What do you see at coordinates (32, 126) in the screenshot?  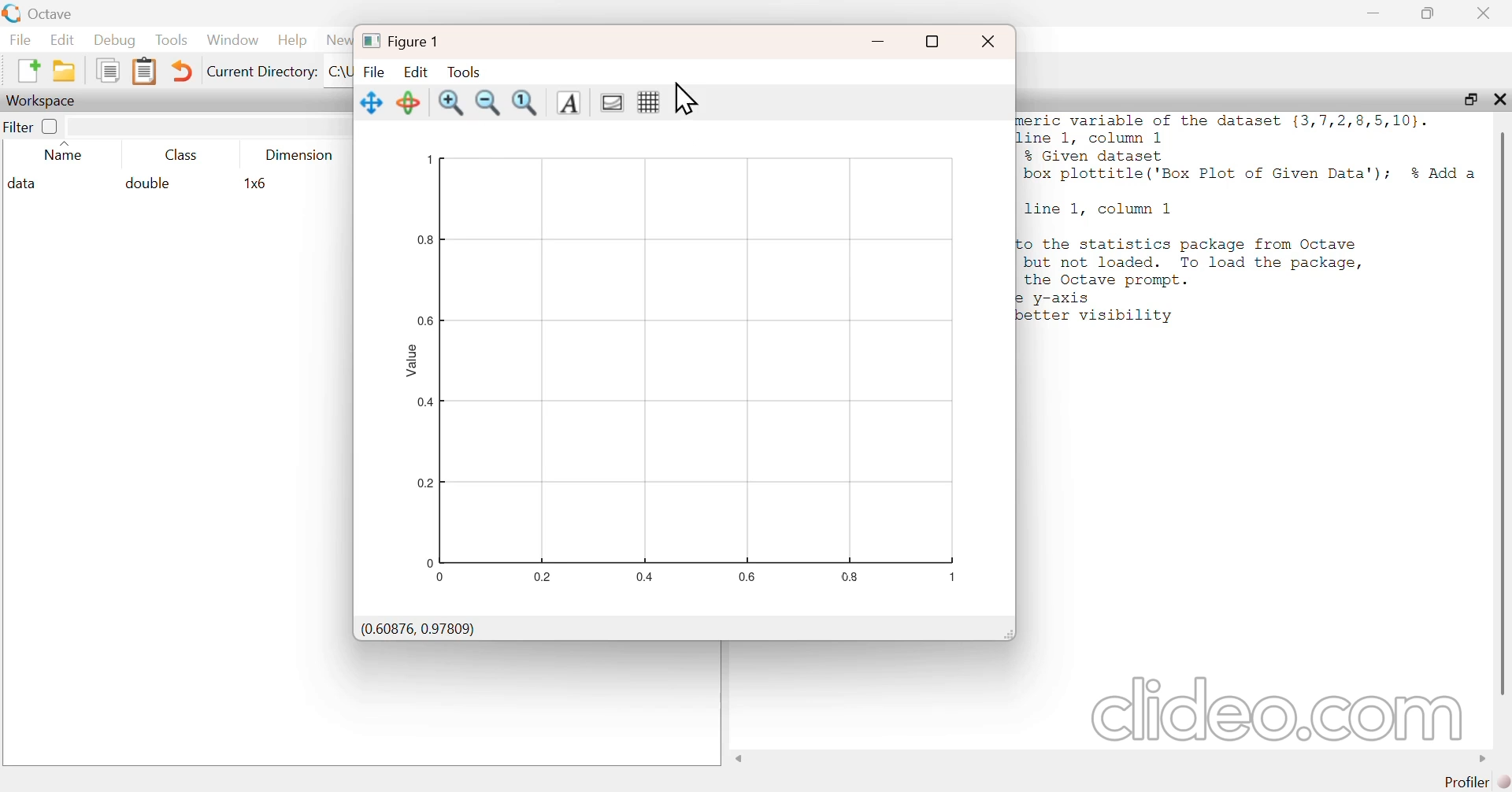 I see `filter` at bounding box center [32, 126].